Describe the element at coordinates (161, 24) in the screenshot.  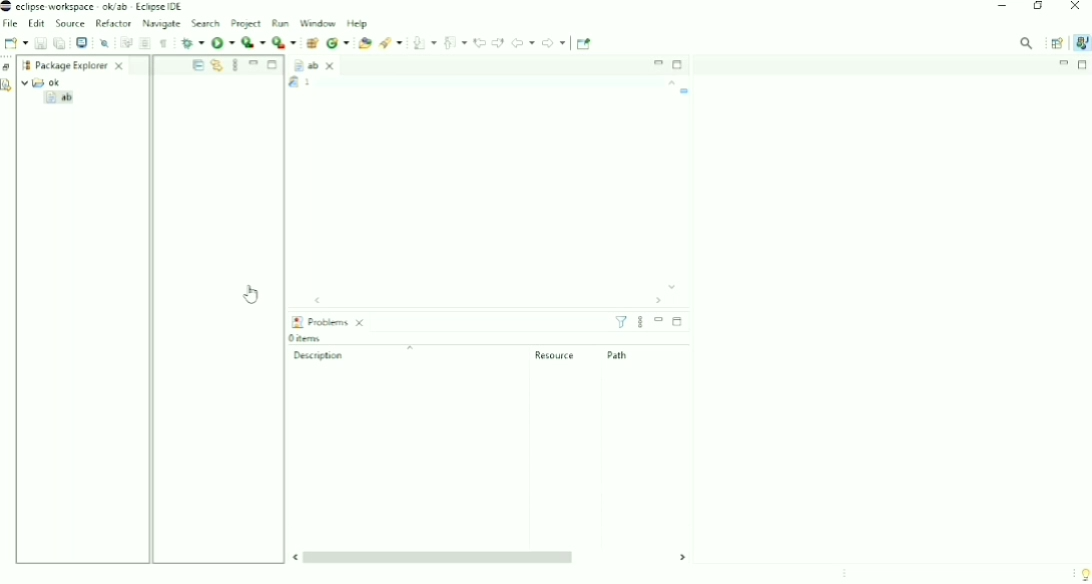
I see `Navigate` at that location.